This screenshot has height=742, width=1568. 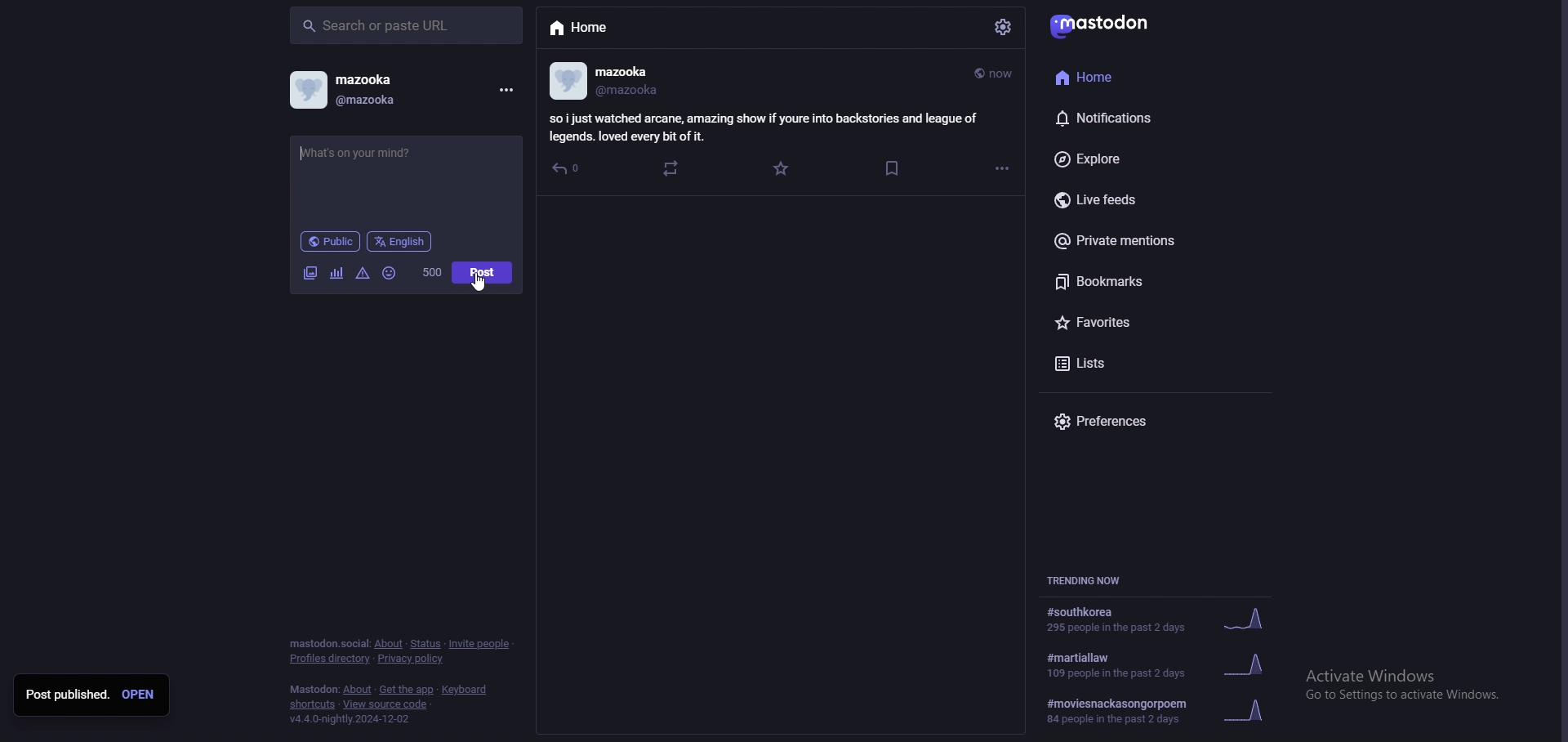 What do you see at coordinates (336, 274) in the screenshot?
I see `polls` at bounding box center [336, 274].